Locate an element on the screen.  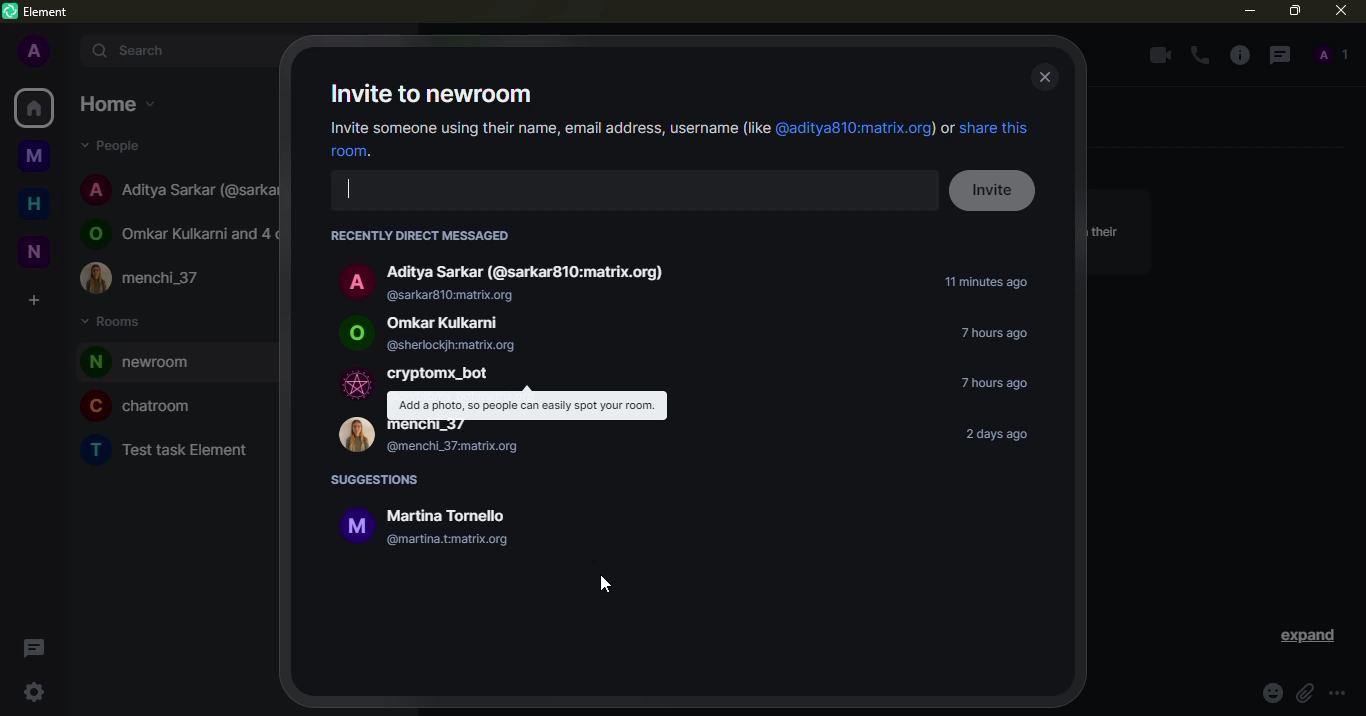
minimize is located at coordinates (1246, 12).